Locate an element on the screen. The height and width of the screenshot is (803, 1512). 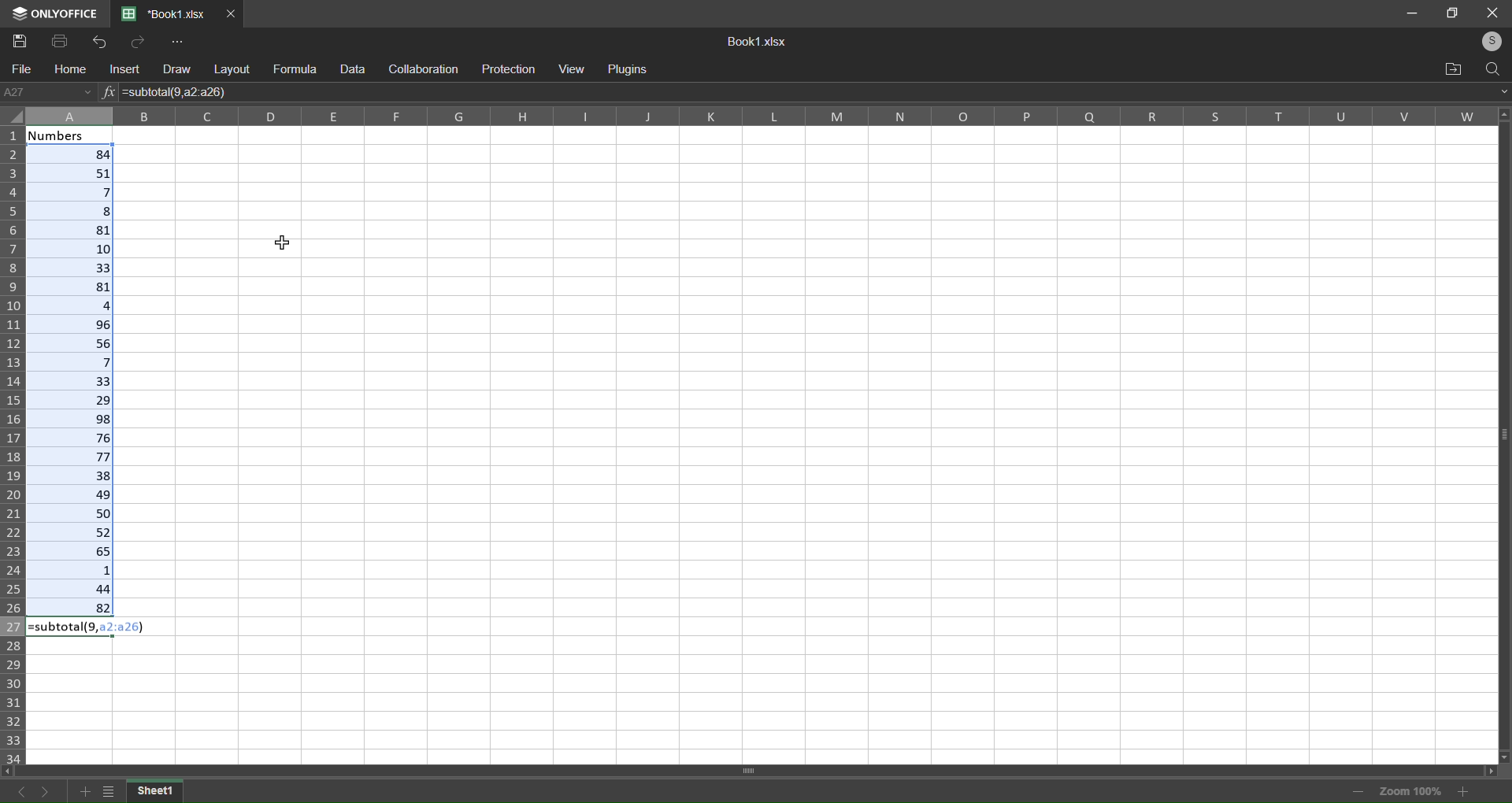
horizontal scroll bar is located at coordinates (752, 770).